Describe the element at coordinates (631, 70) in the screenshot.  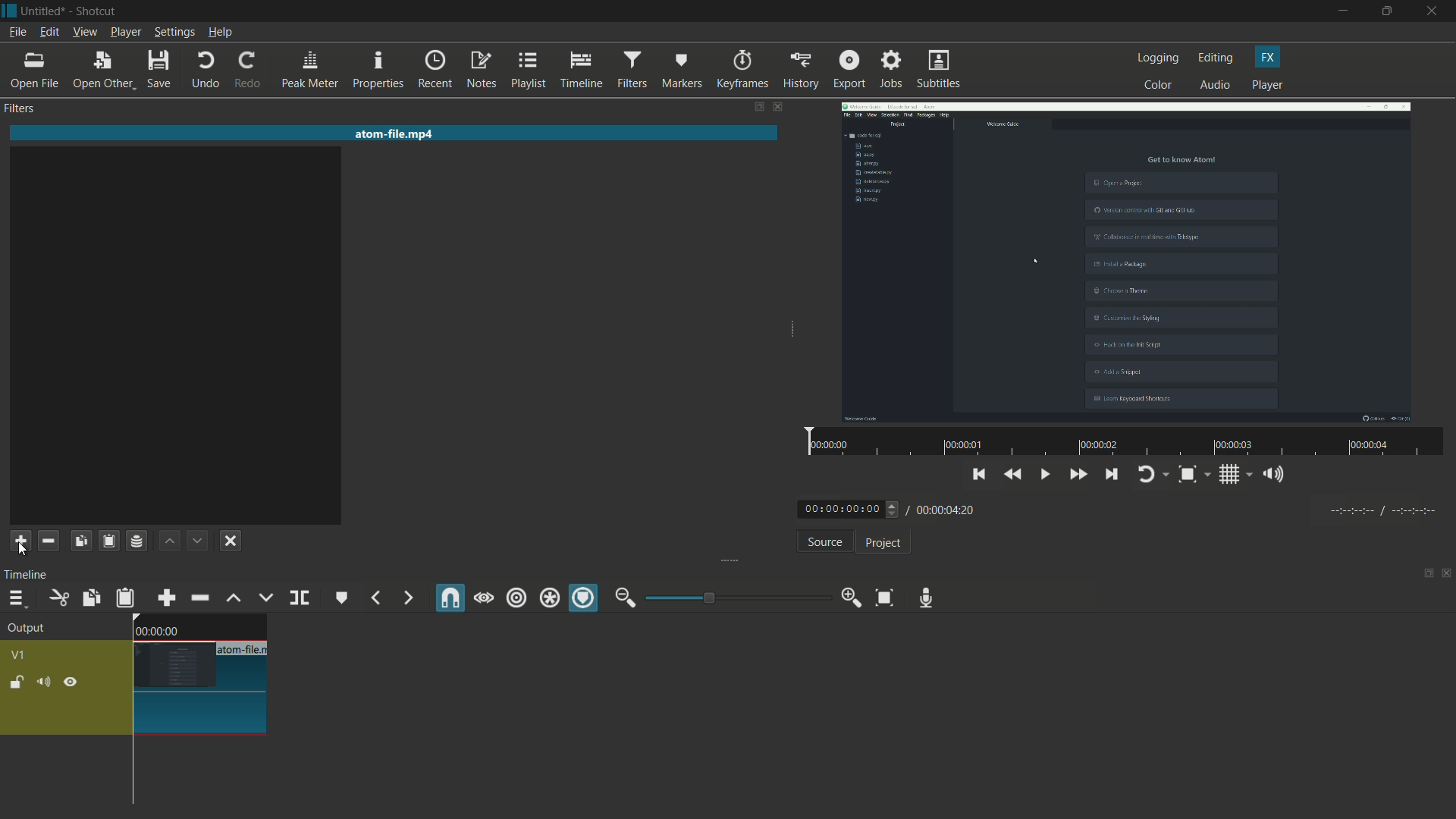
I see `filters` at that location.